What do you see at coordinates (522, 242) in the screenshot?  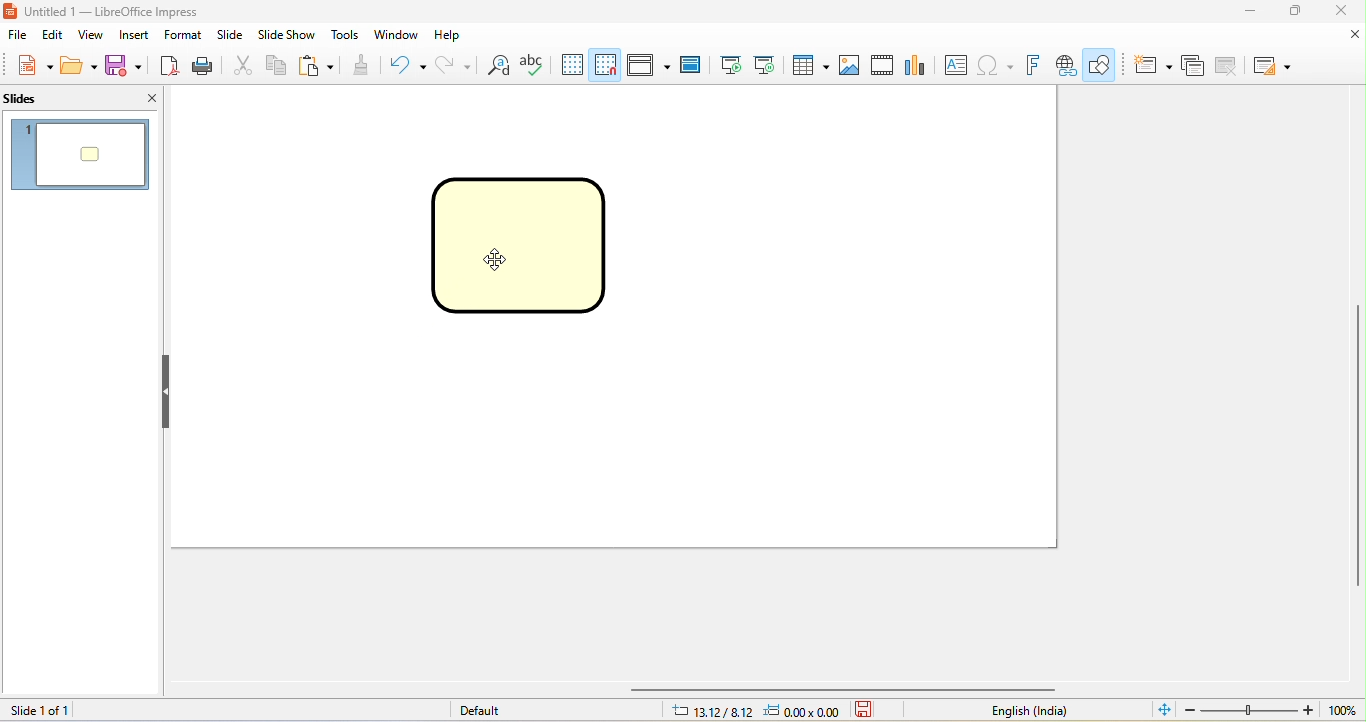 I see `shape` at bounding box center [522, 242].